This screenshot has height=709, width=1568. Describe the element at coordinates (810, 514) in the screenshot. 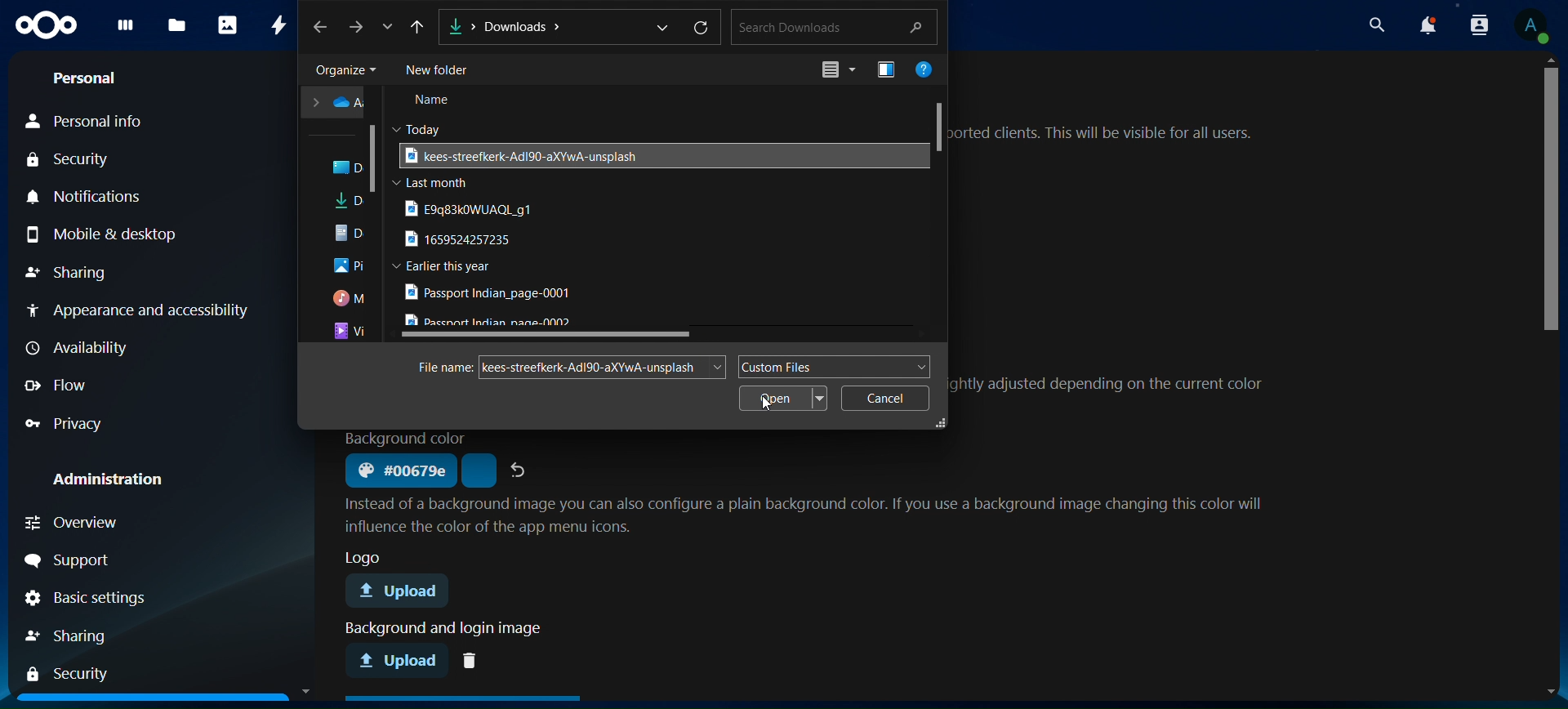

I see `text` at that location.